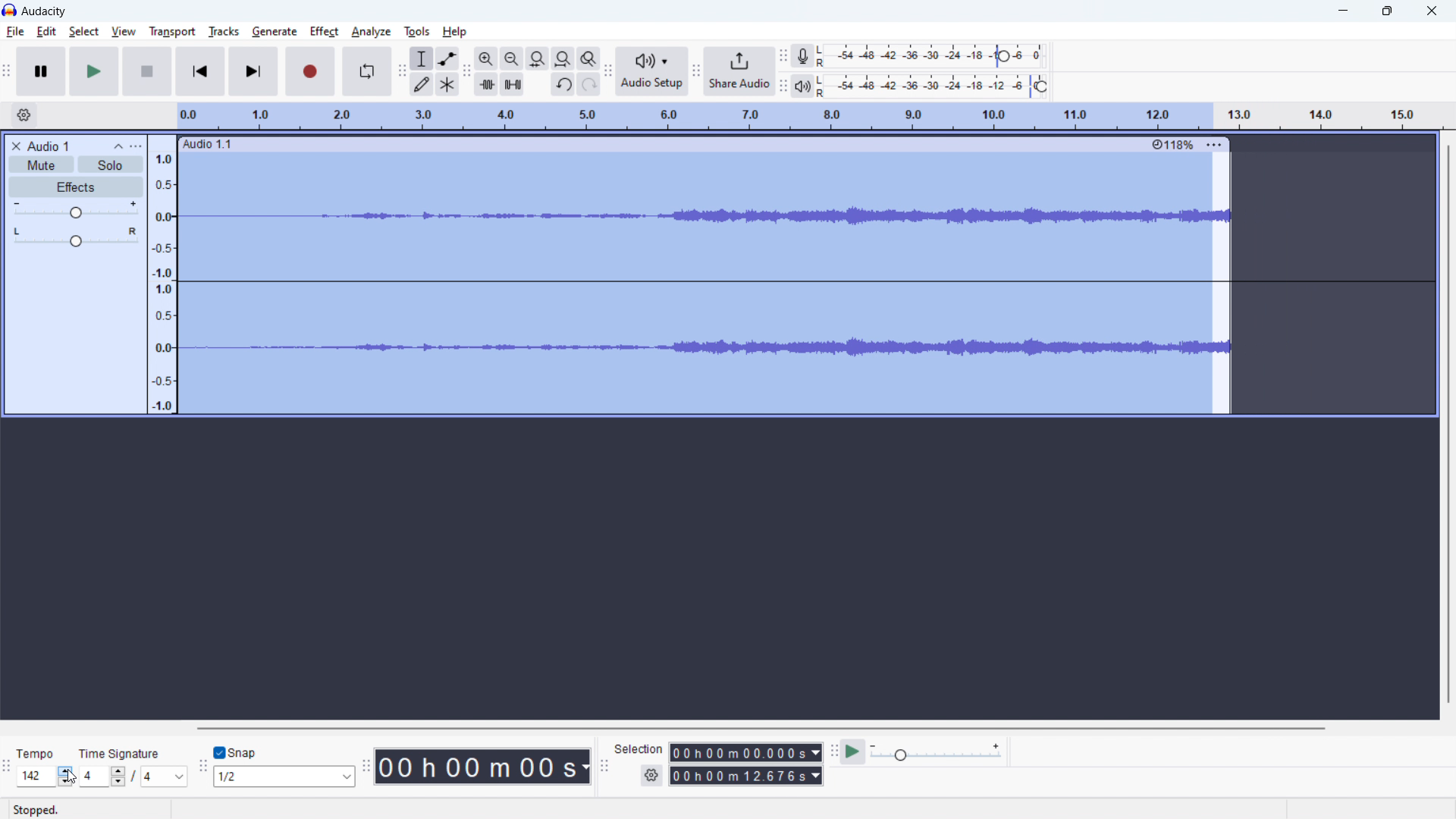 This screenshot has height=819, width=1456. I want to click on settings, so click(651, 776).